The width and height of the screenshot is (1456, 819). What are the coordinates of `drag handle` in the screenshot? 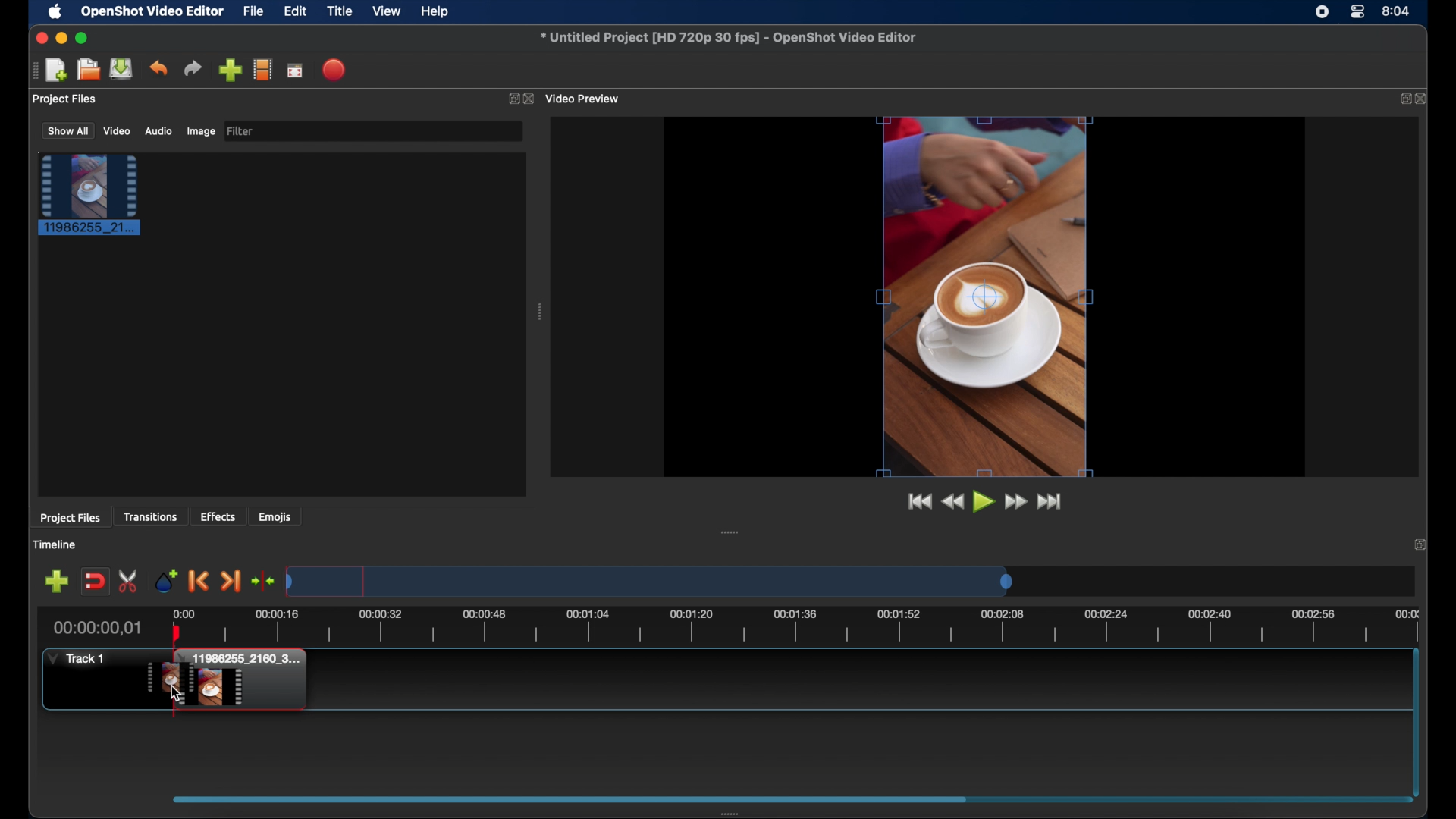 It's located at (739, 811).